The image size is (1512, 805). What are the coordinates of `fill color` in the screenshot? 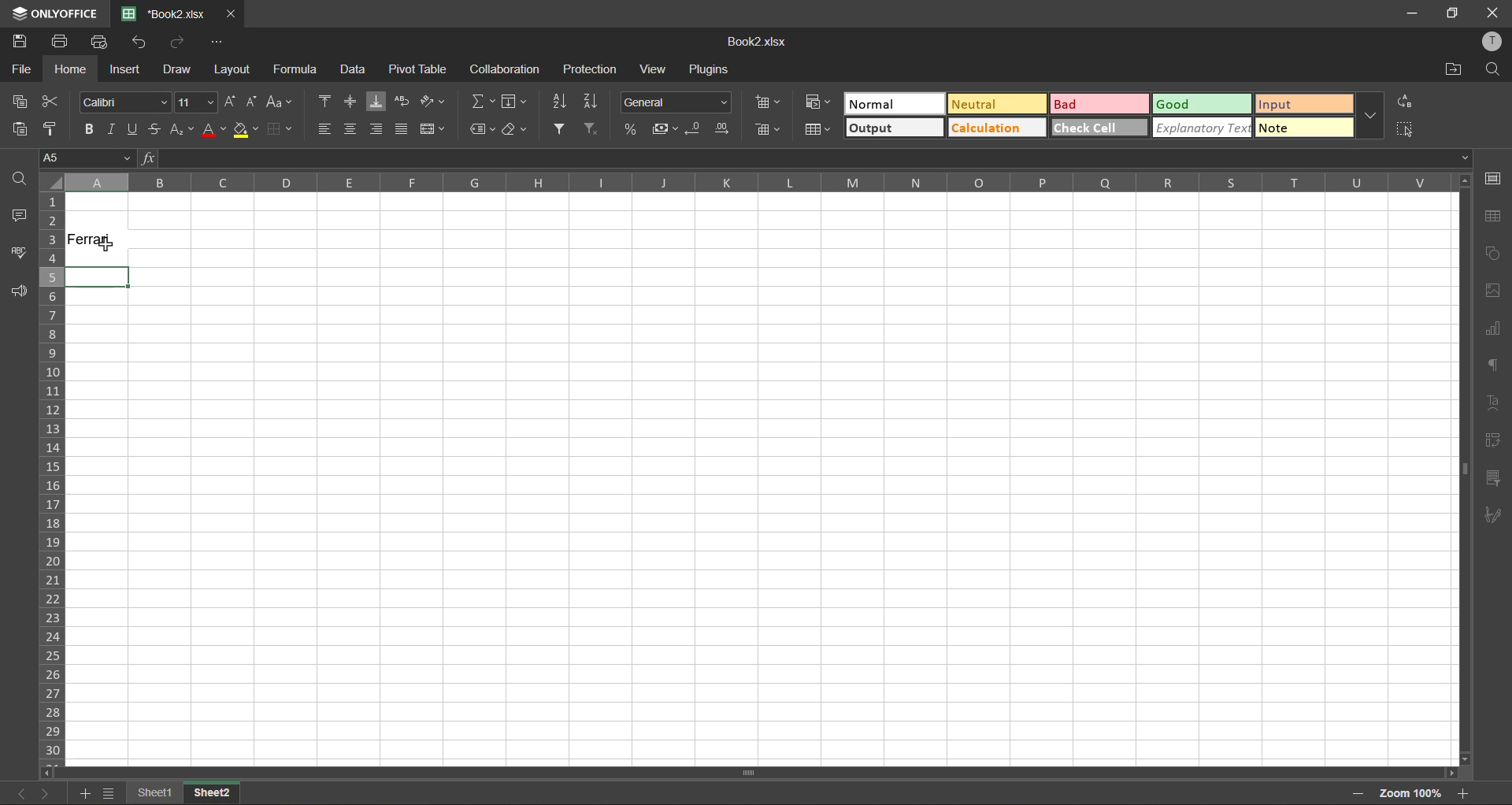 It's located at (246, 128).